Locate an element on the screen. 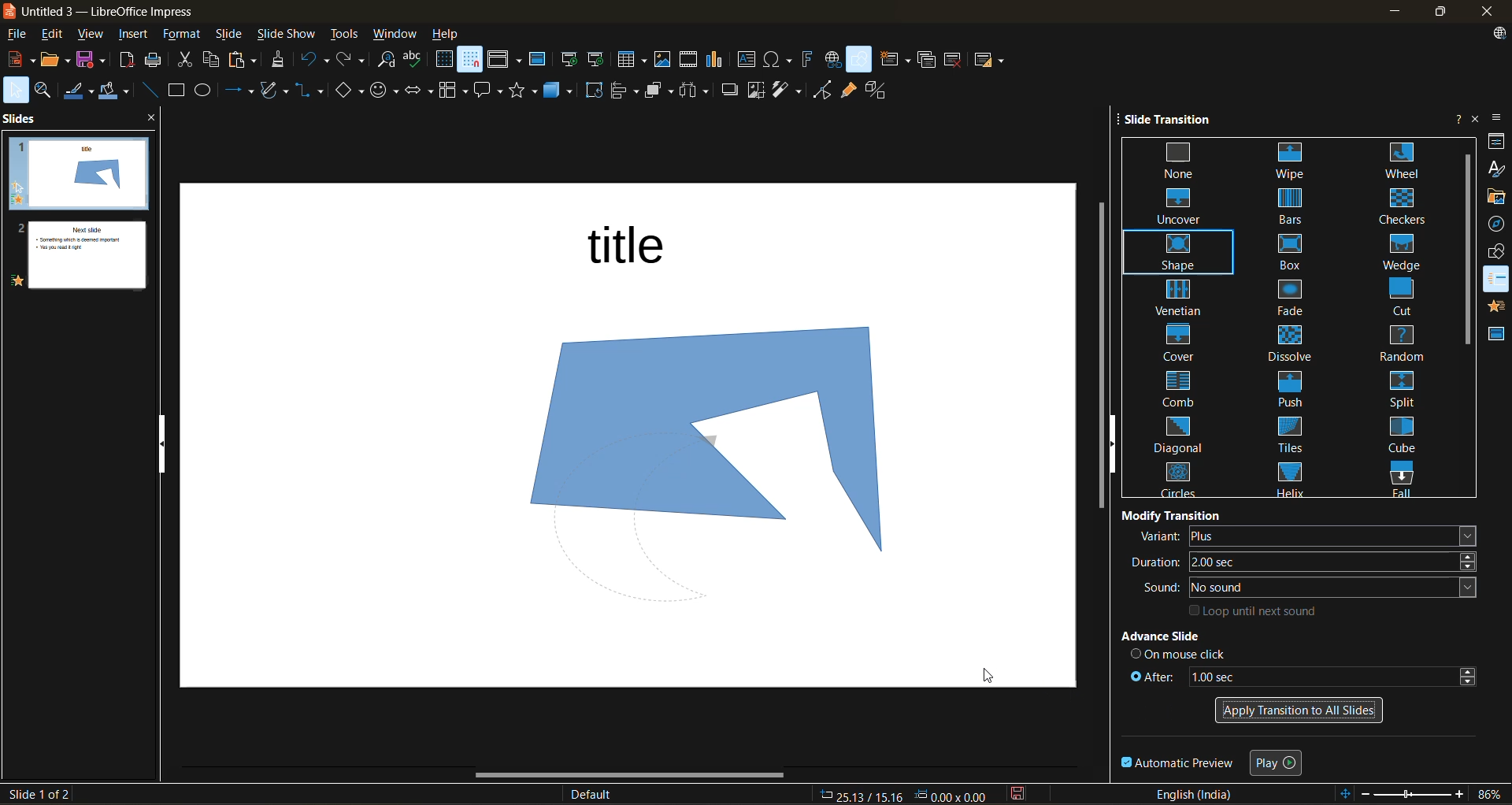 The height and width of the screenshot is (805, 1512). insert special characters is located at coordinates (780, 61).